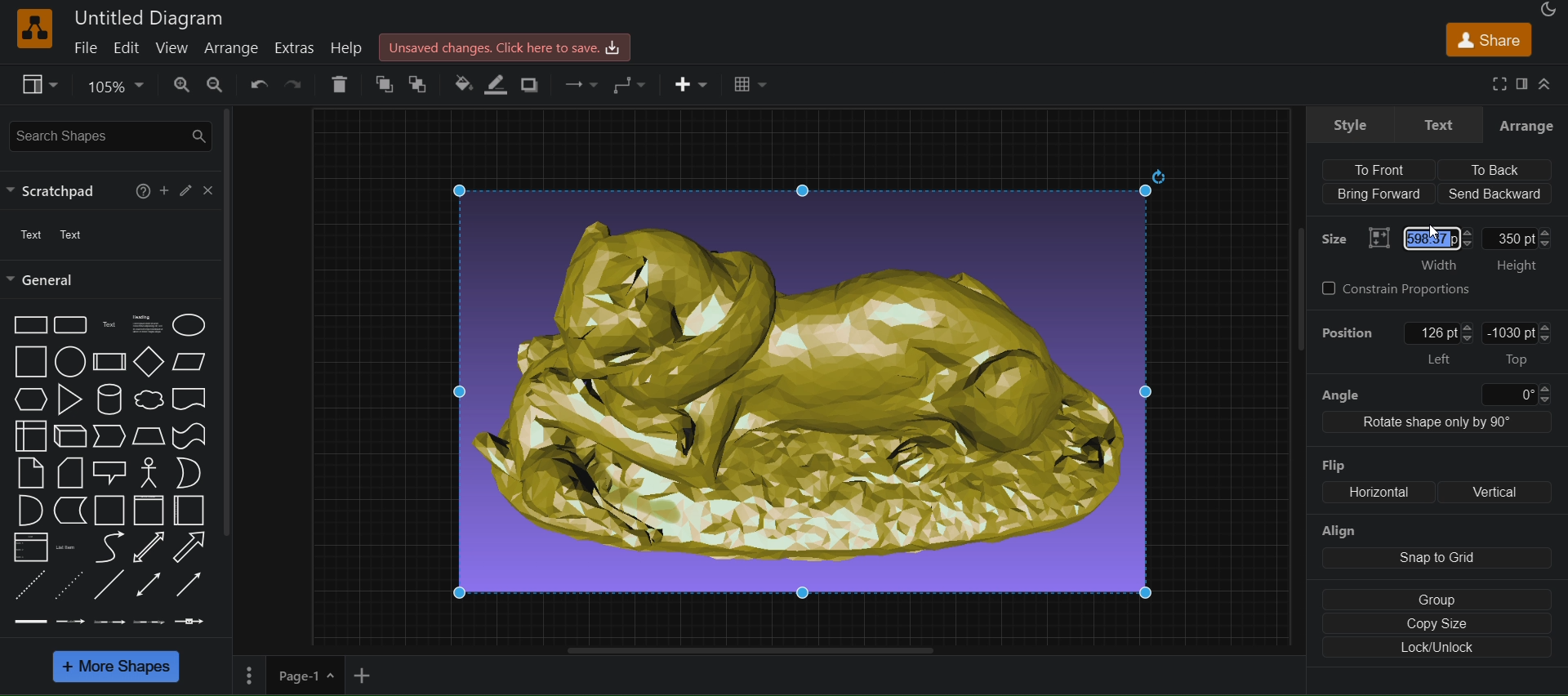  What do you see at coordinates (1499, 170) in the screenshot?
I see `To back (align)` at bounding box center [1499, 170].